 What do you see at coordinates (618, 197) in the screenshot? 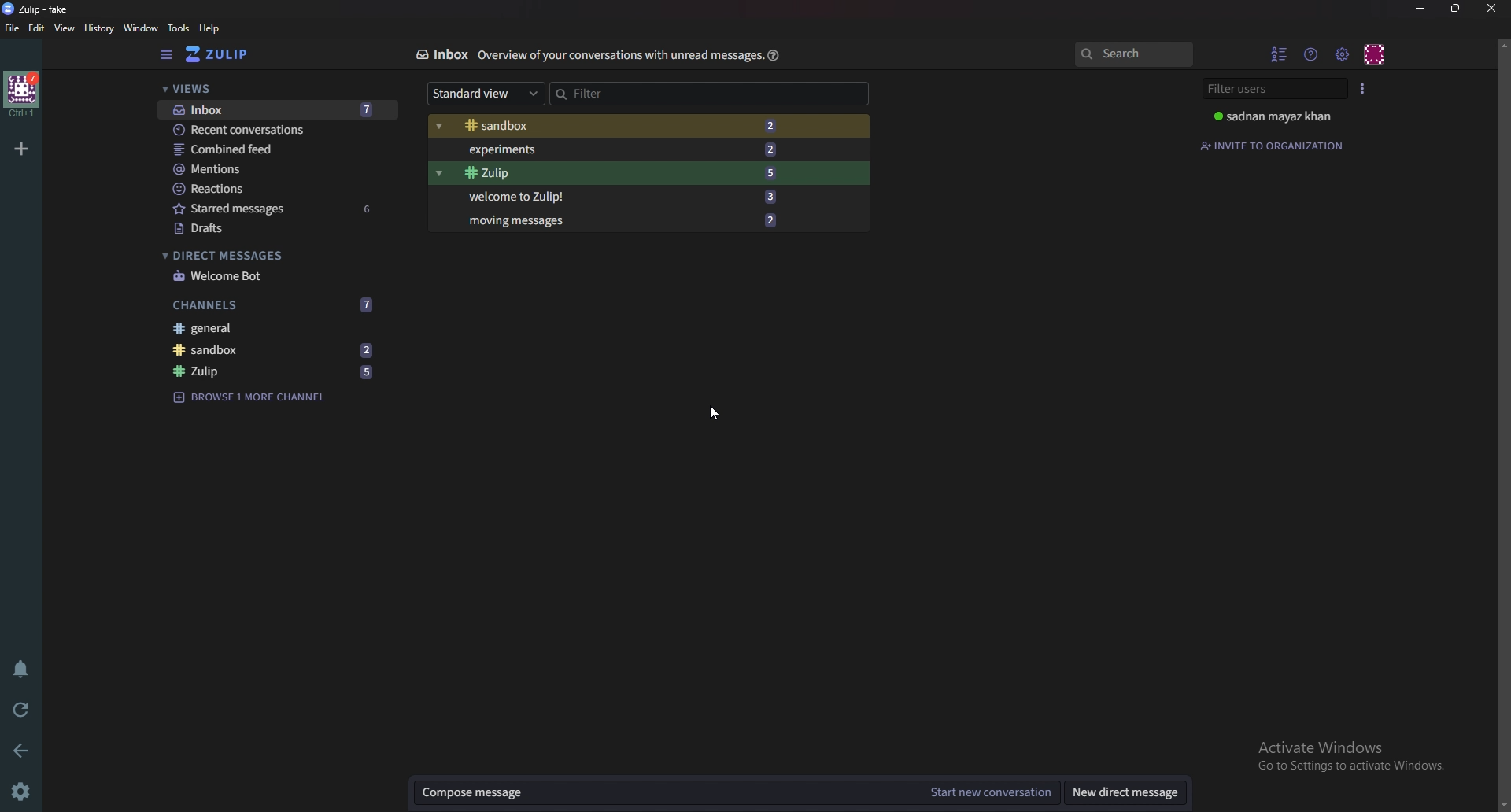
I see `Welcome to Zulip` at bounding box center [618, 197].